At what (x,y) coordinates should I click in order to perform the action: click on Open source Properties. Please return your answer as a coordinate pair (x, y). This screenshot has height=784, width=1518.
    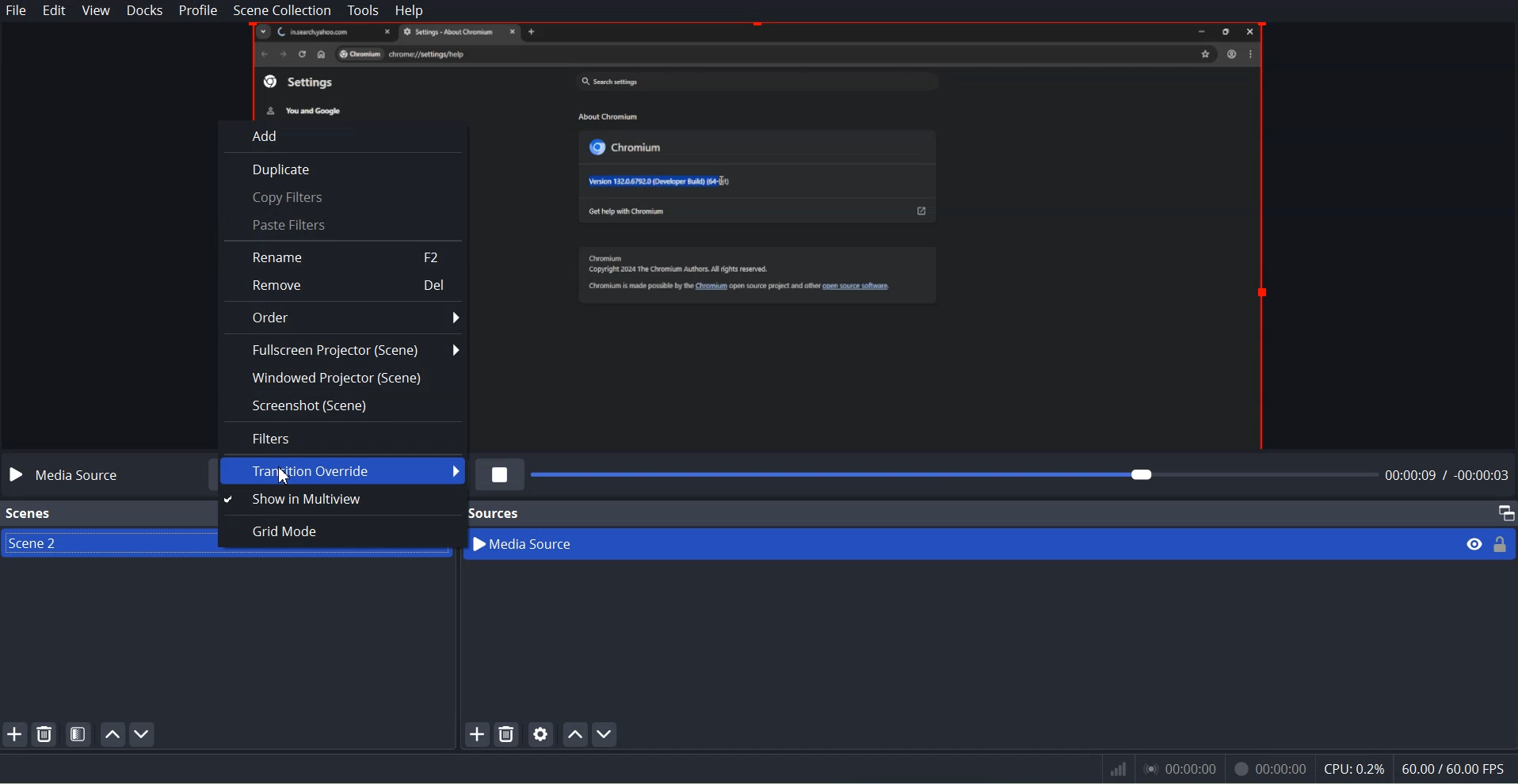
    Looking at the image, I should click on (541, 733).